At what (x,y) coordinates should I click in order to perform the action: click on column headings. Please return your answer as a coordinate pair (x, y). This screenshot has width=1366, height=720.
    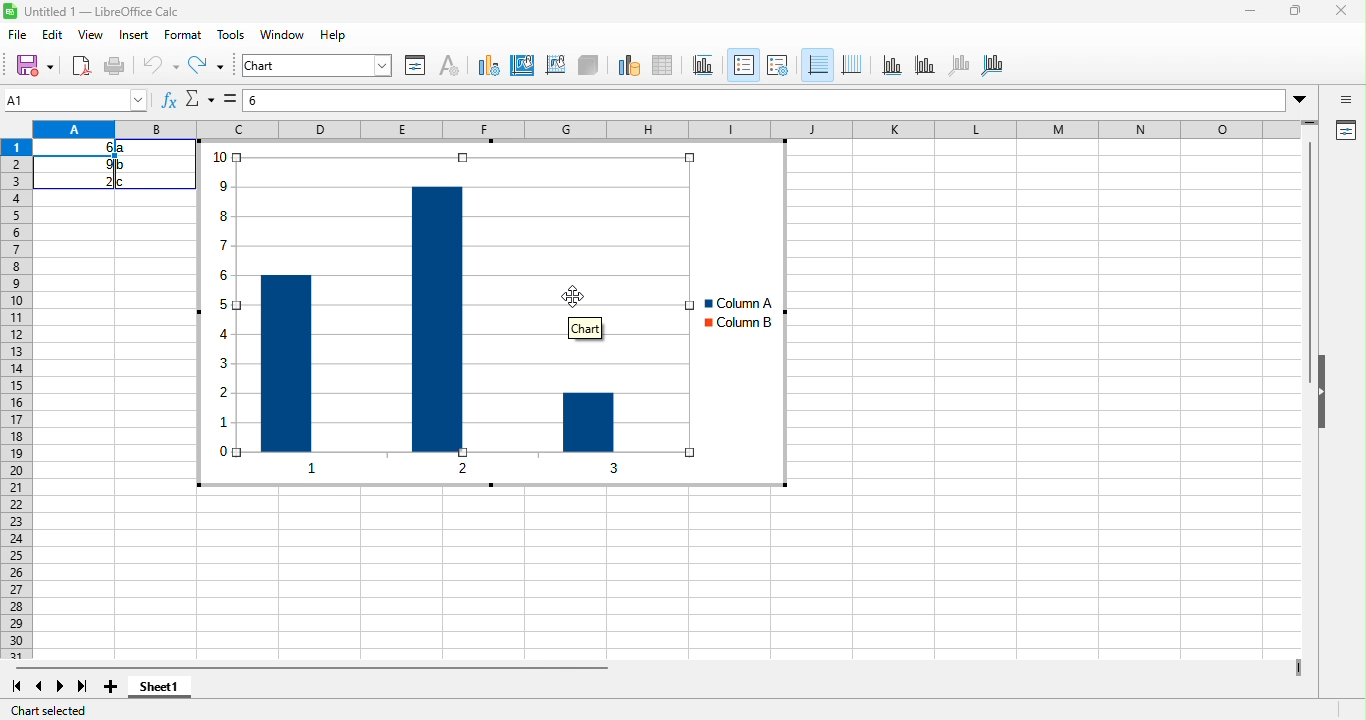
    Looking at the image, I should click on (674, 129).